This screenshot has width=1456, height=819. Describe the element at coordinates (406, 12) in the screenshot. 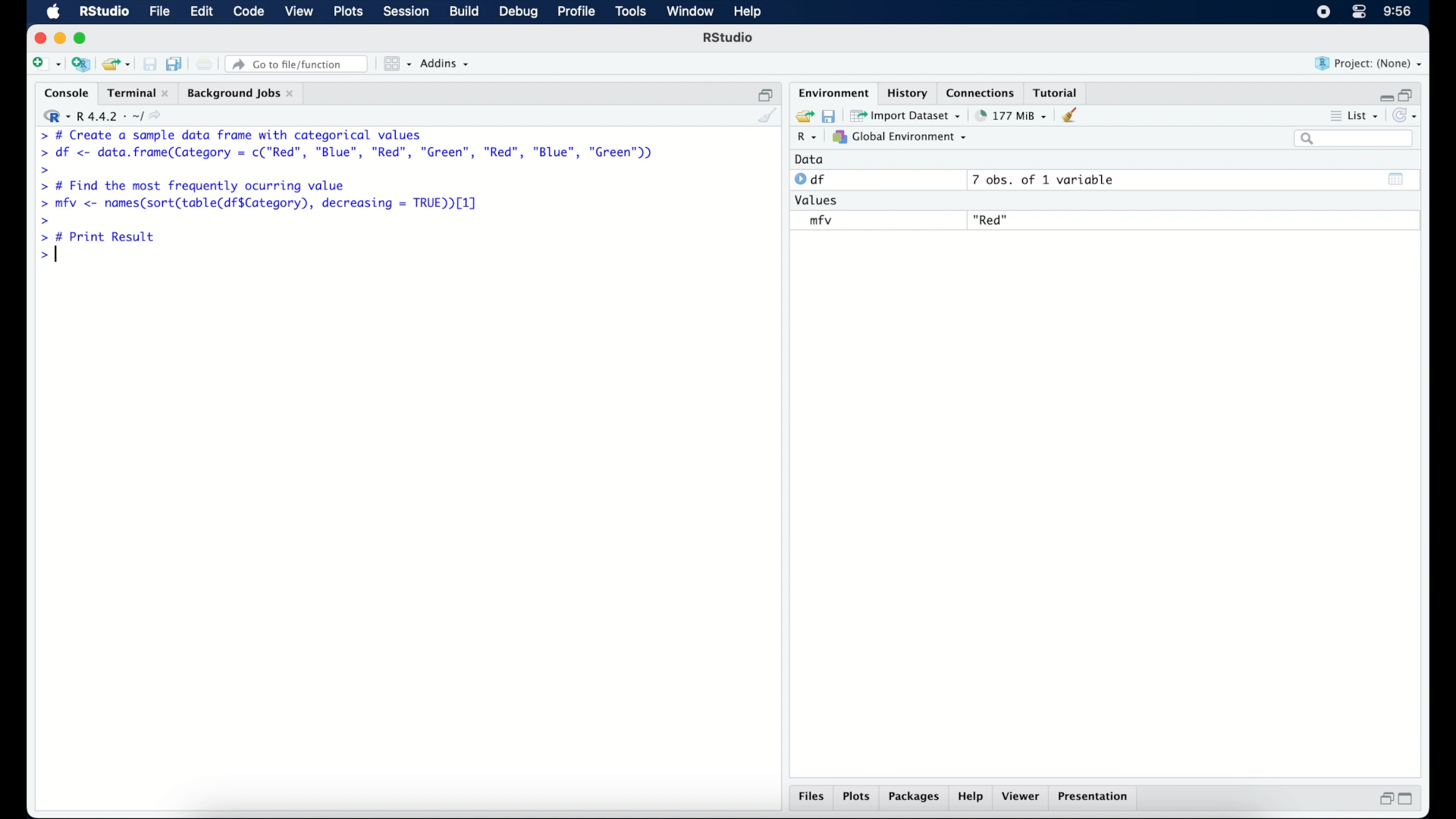

I see `session` at that location.